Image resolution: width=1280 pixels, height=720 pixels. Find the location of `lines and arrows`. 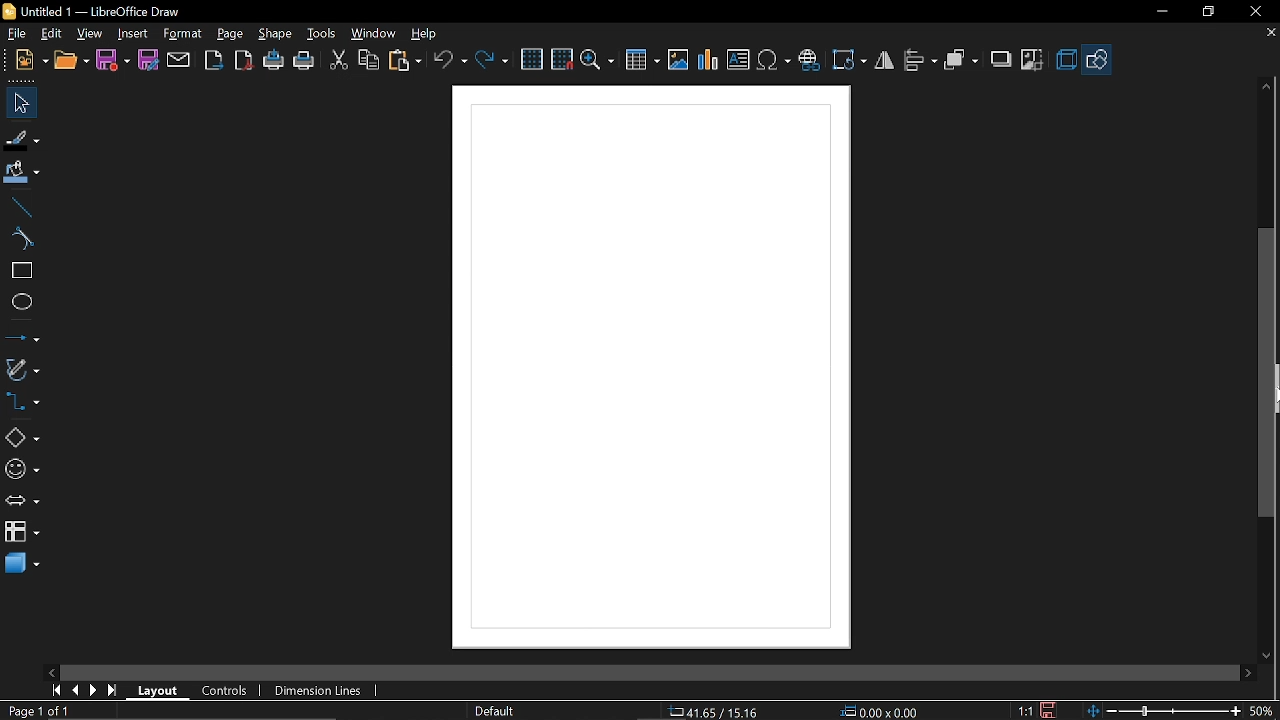

lines and arrows is located at coordinates (22, 335).